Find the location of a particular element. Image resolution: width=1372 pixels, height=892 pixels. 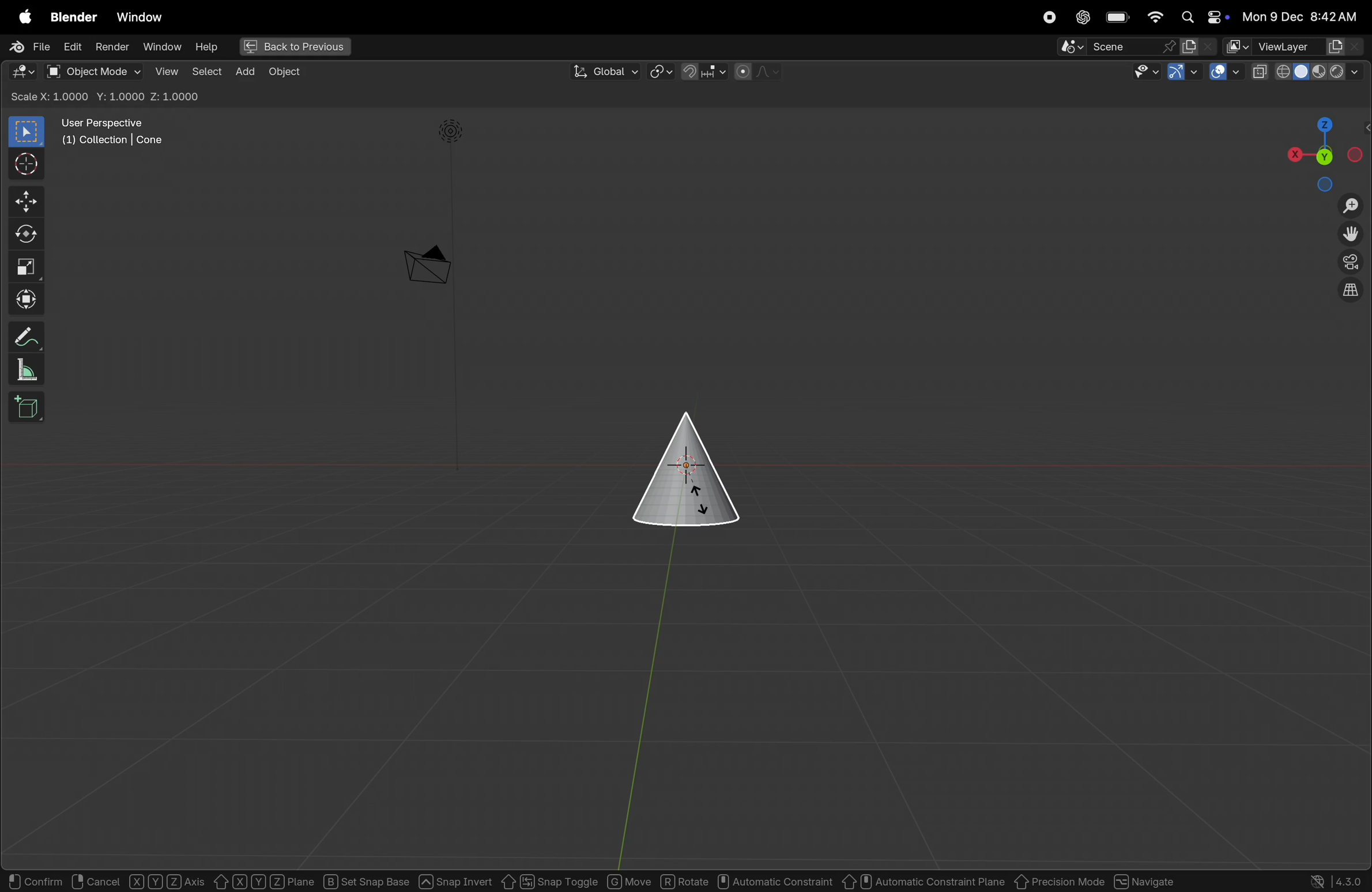

version is located at coordinates (1335, 880).